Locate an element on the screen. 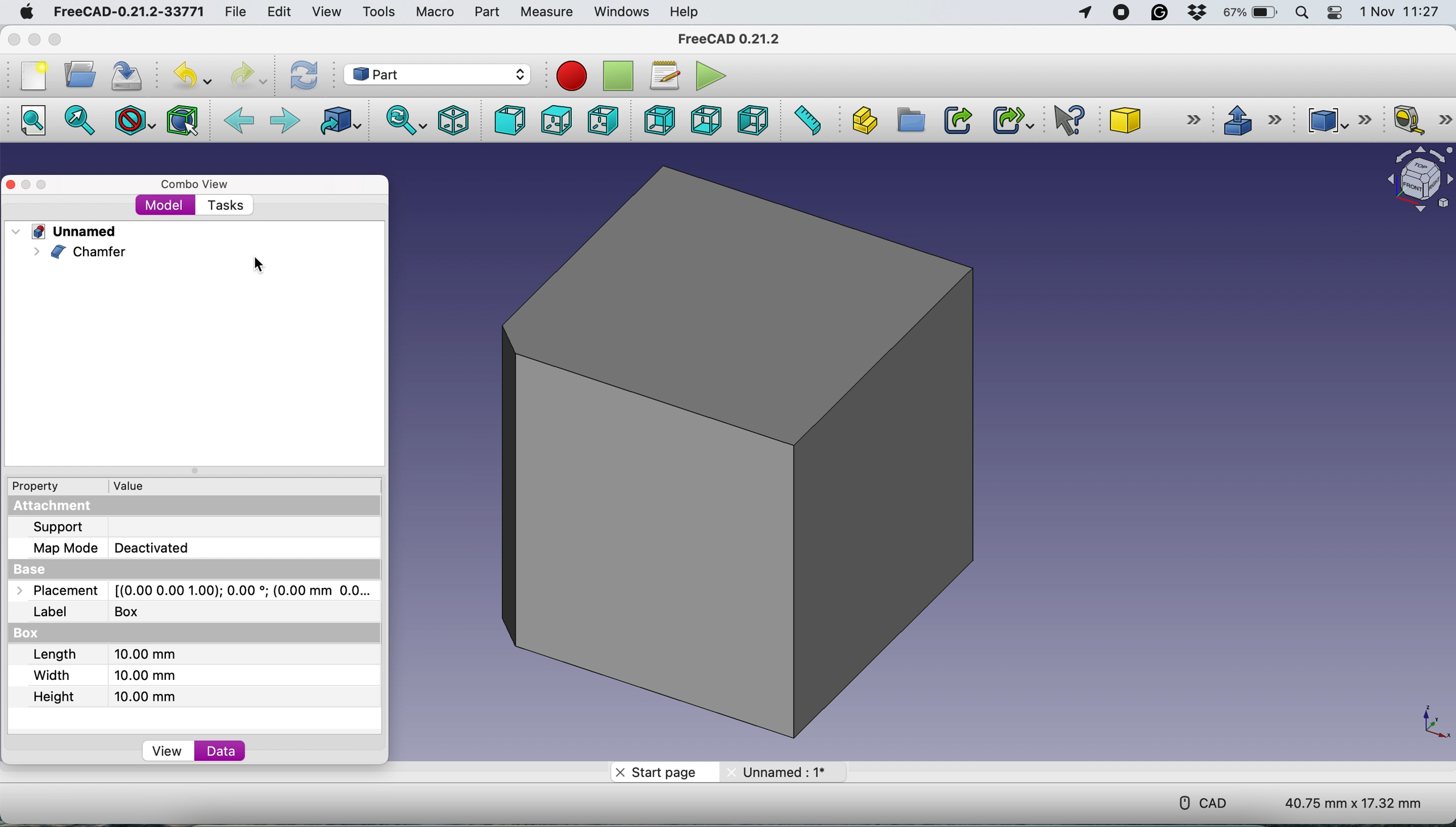 The width and height of the screenshot is (1456, 827). execute macros is located at coordinates (712, 76).